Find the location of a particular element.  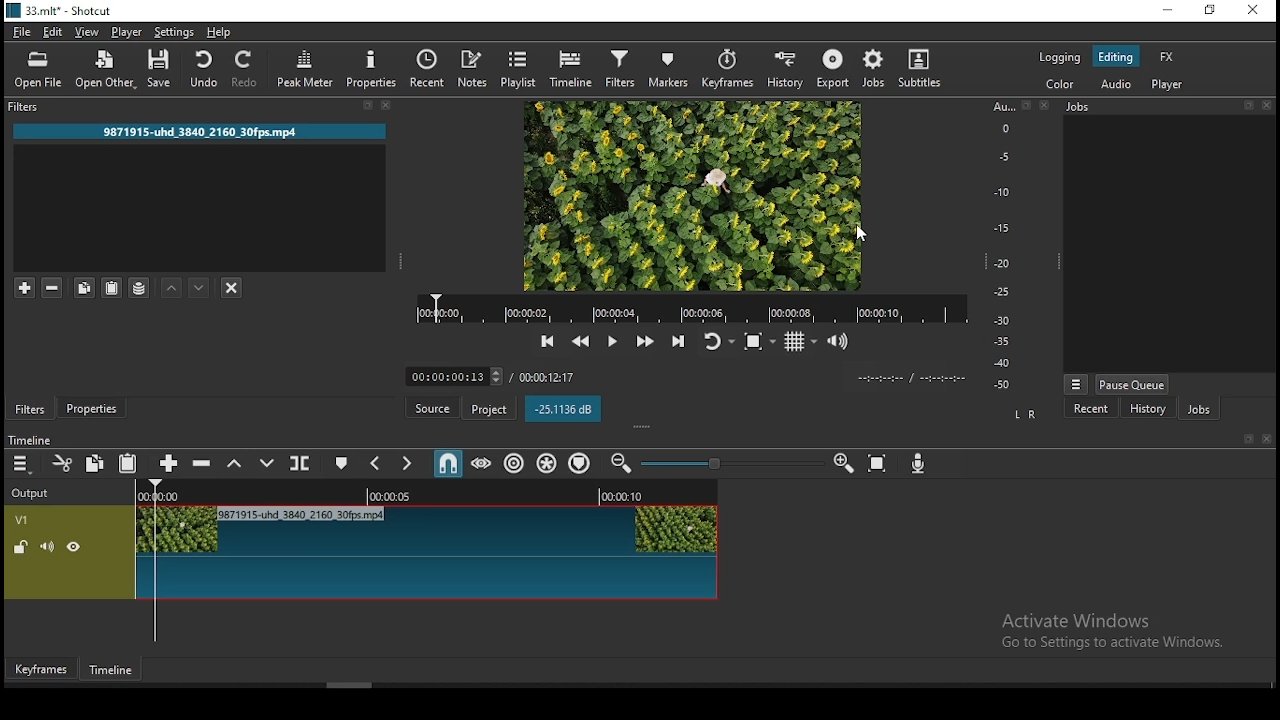

view more is located at coordinates (1077, 382).